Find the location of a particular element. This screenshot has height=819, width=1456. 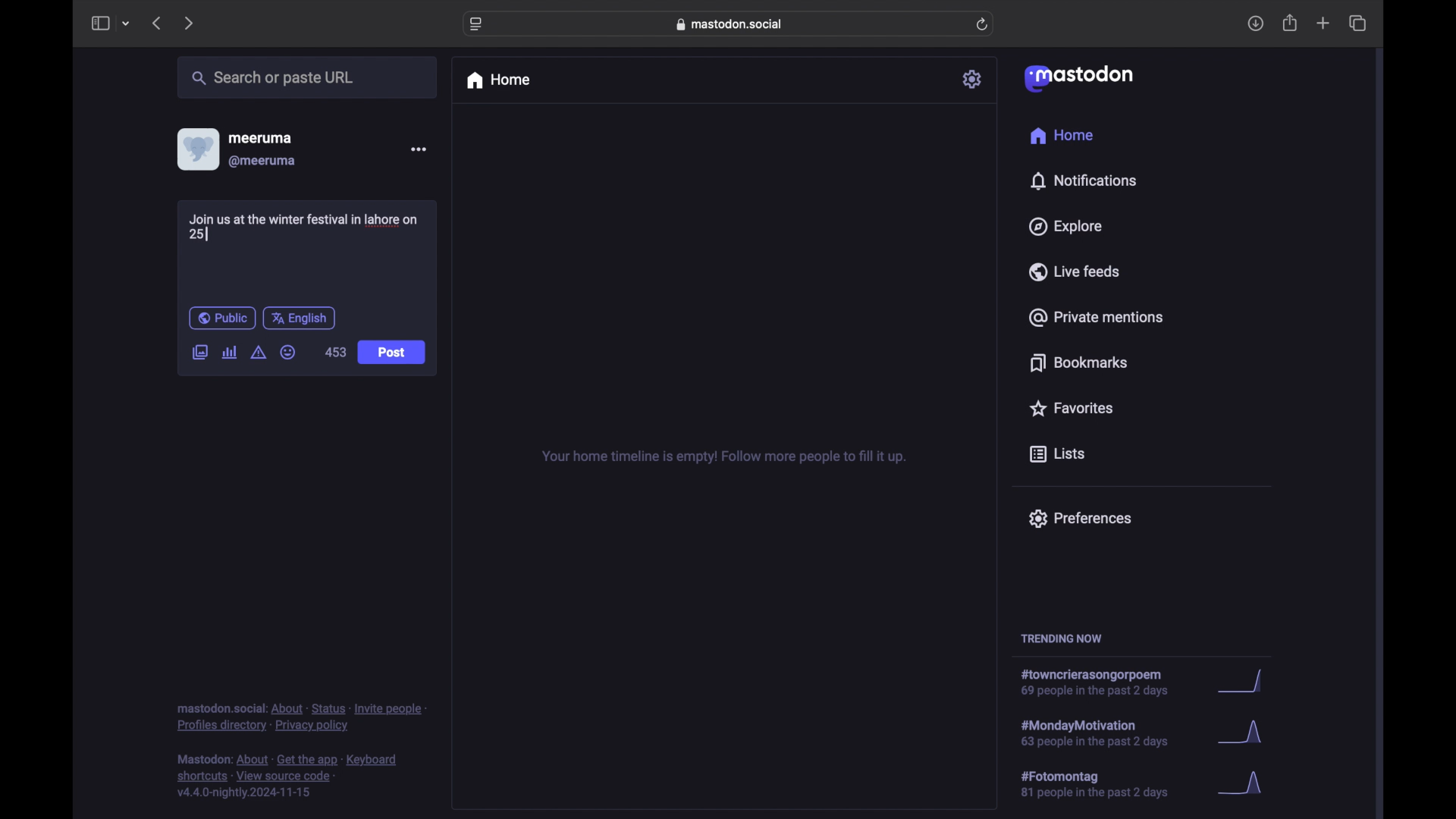

hashtag trend is located at coordinates (1105, 732).